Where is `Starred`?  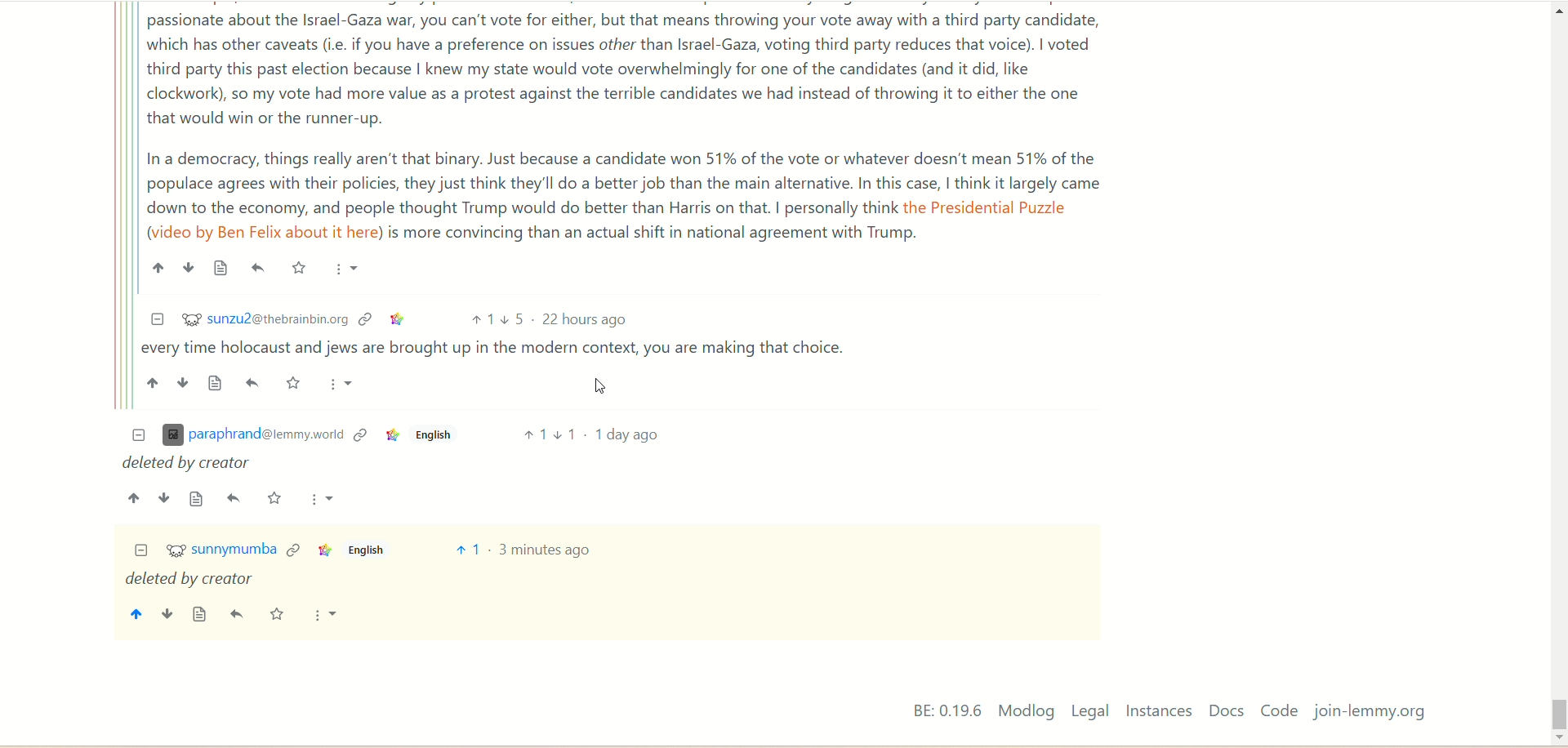
Starred is located at coordinates (275, 497).